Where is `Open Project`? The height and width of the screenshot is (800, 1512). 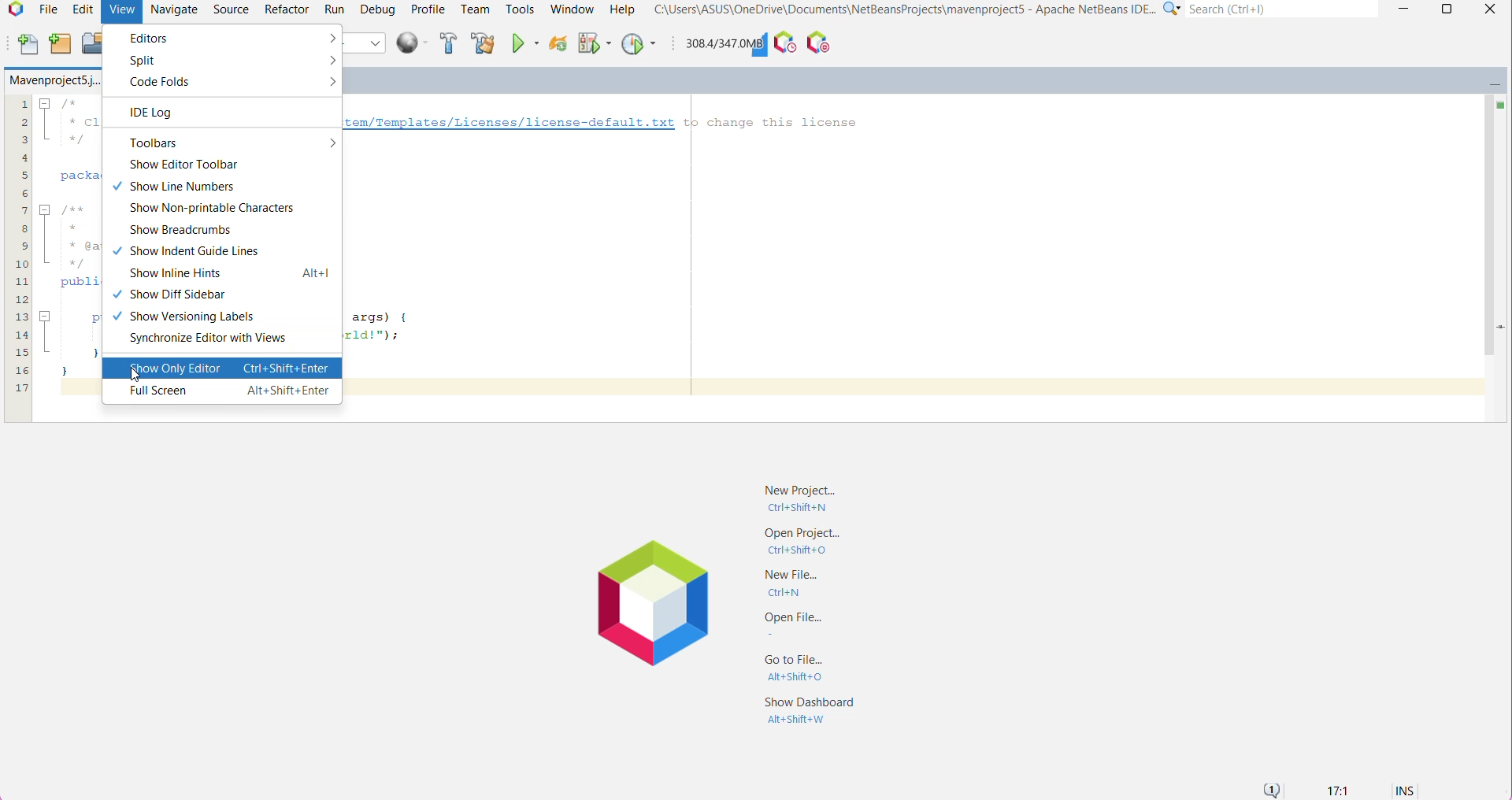 Open Project is located at coordinates (802, 542).